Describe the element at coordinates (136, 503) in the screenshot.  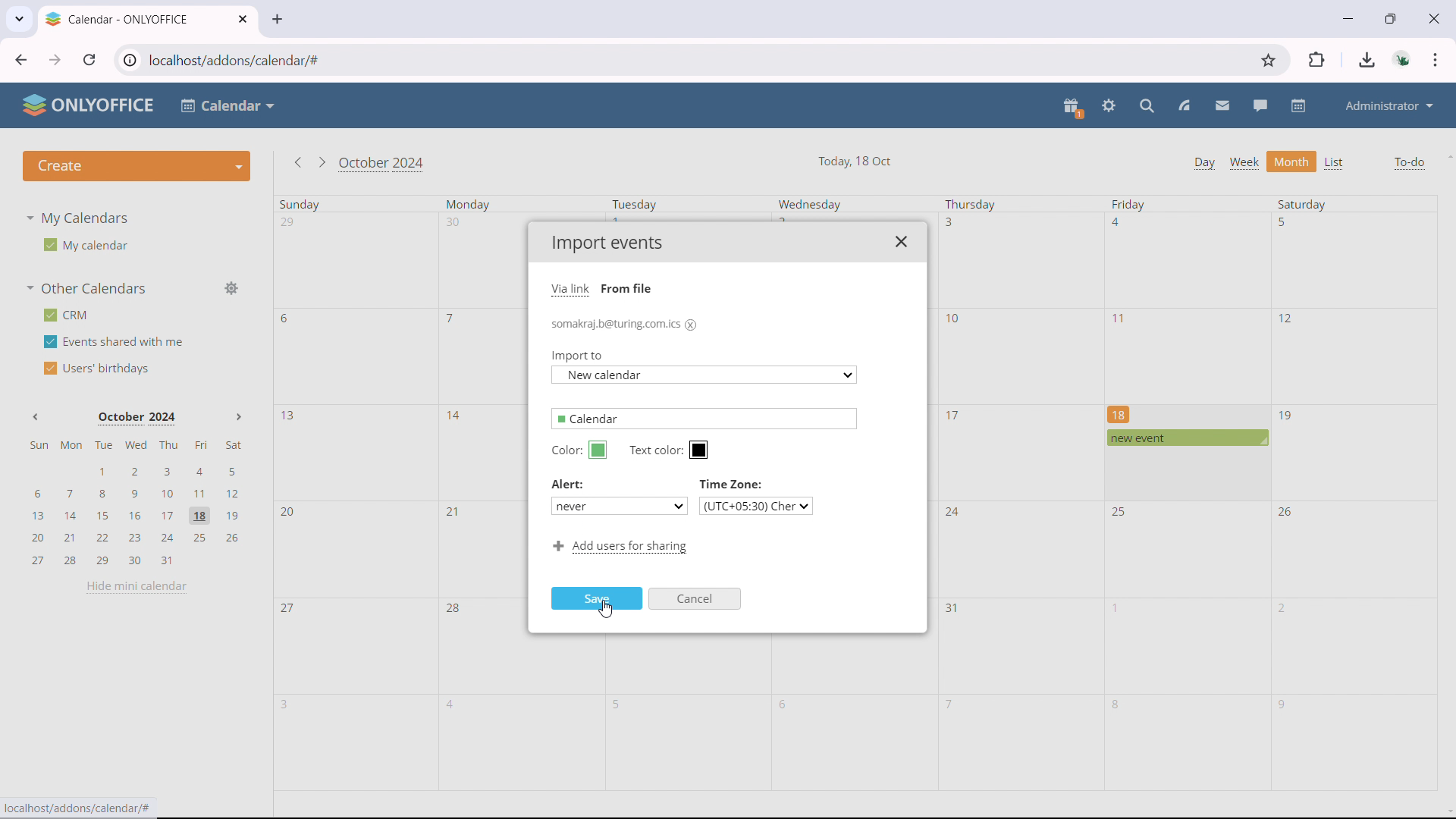
I see `mini calendar` at that location.